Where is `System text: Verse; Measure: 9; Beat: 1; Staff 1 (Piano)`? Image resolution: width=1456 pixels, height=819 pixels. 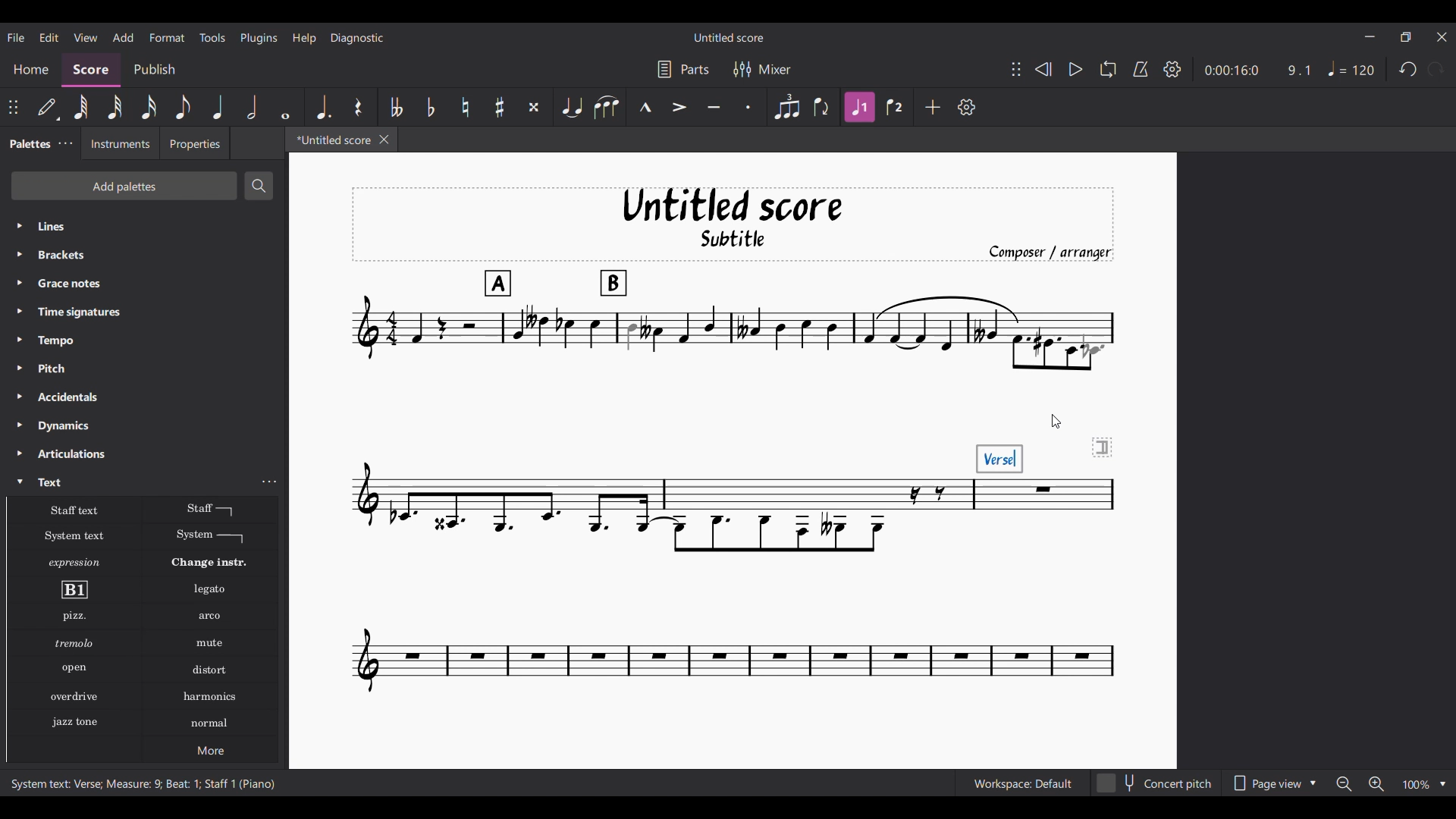
System text: Verse; Measure: 9; Beat: 1; Staff 1 (Piano) is located at coordinates (143, 783).